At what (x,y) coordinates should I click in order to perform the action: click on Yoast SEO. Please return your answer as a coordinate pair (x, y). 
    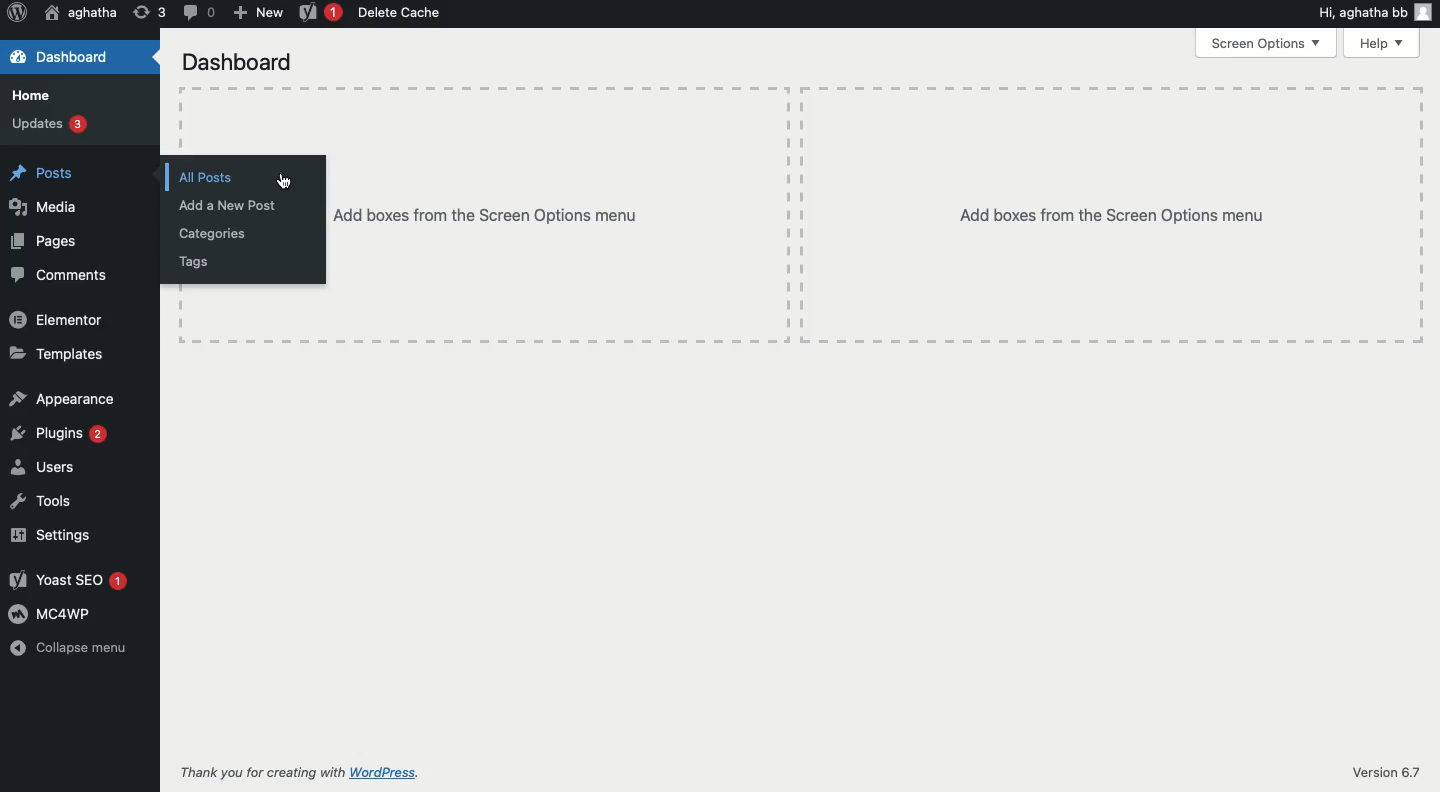
    Looking at the image, I should click on (69, 581).